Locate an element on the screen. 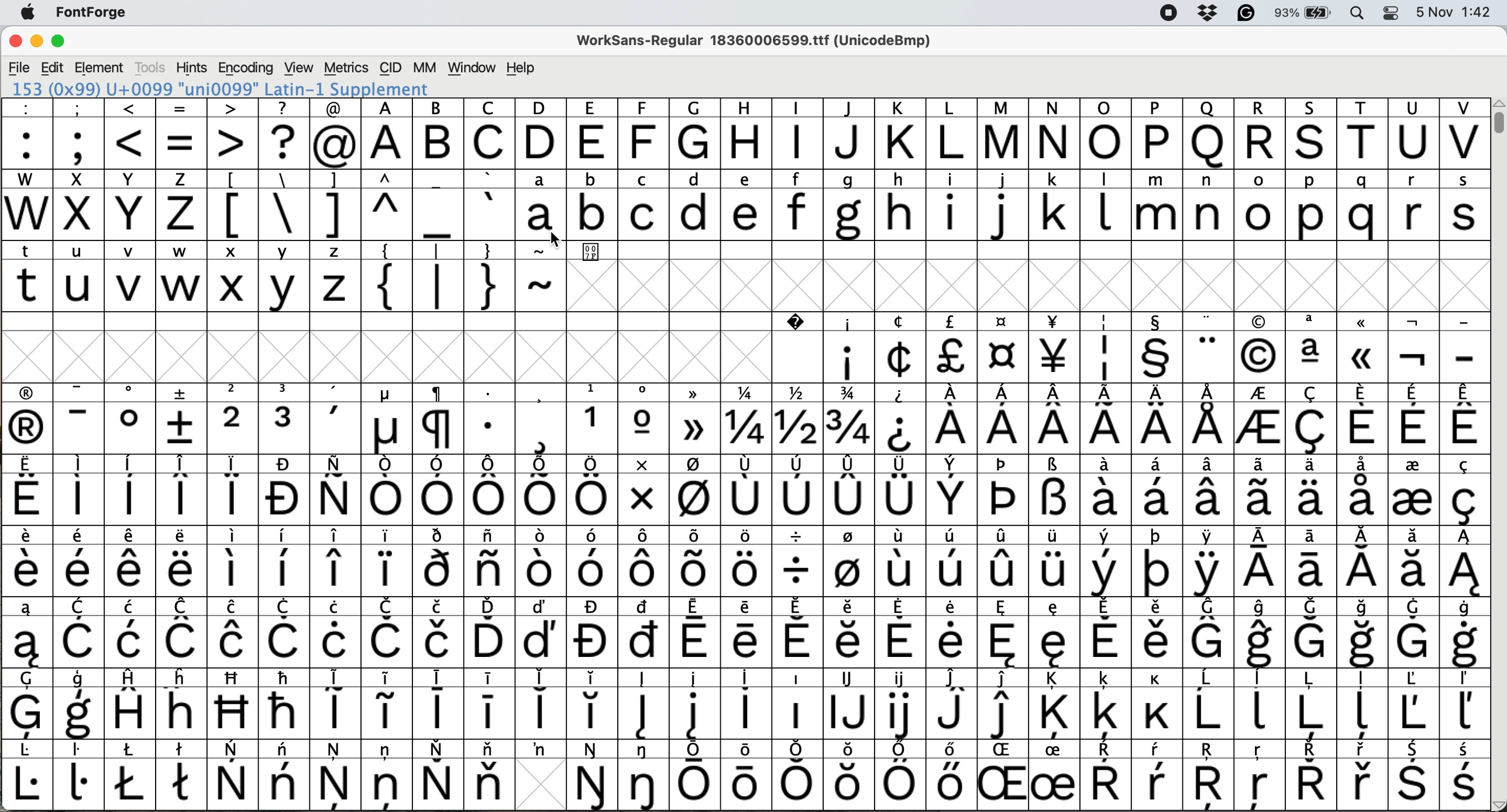 Image resolution: width=1507 pixels, height=812 pixels. symbol is located at coordinates (1464, 633).